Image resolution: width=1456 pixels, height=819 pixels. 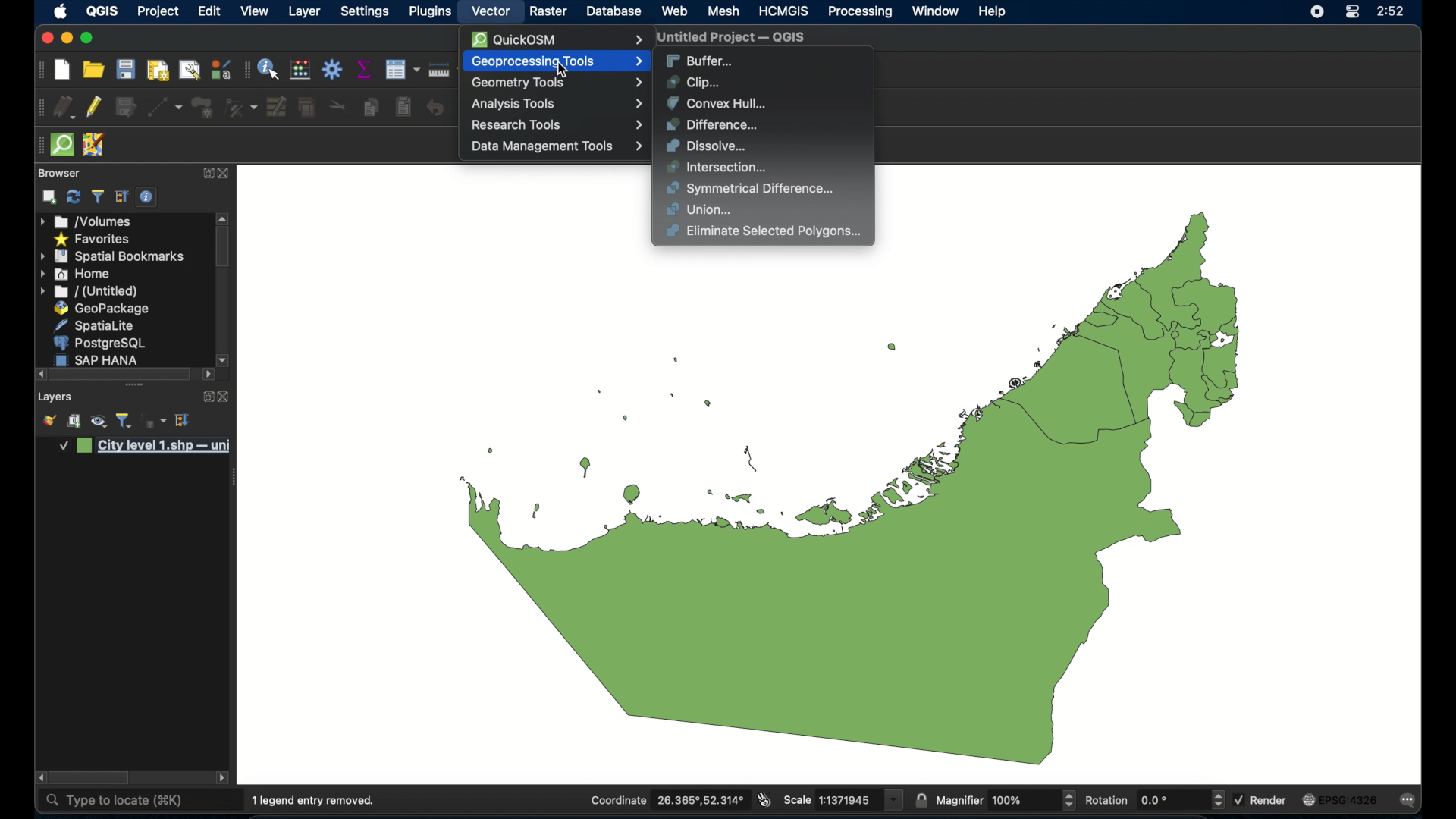 I want to click on difference, so click(x=714, y=124).